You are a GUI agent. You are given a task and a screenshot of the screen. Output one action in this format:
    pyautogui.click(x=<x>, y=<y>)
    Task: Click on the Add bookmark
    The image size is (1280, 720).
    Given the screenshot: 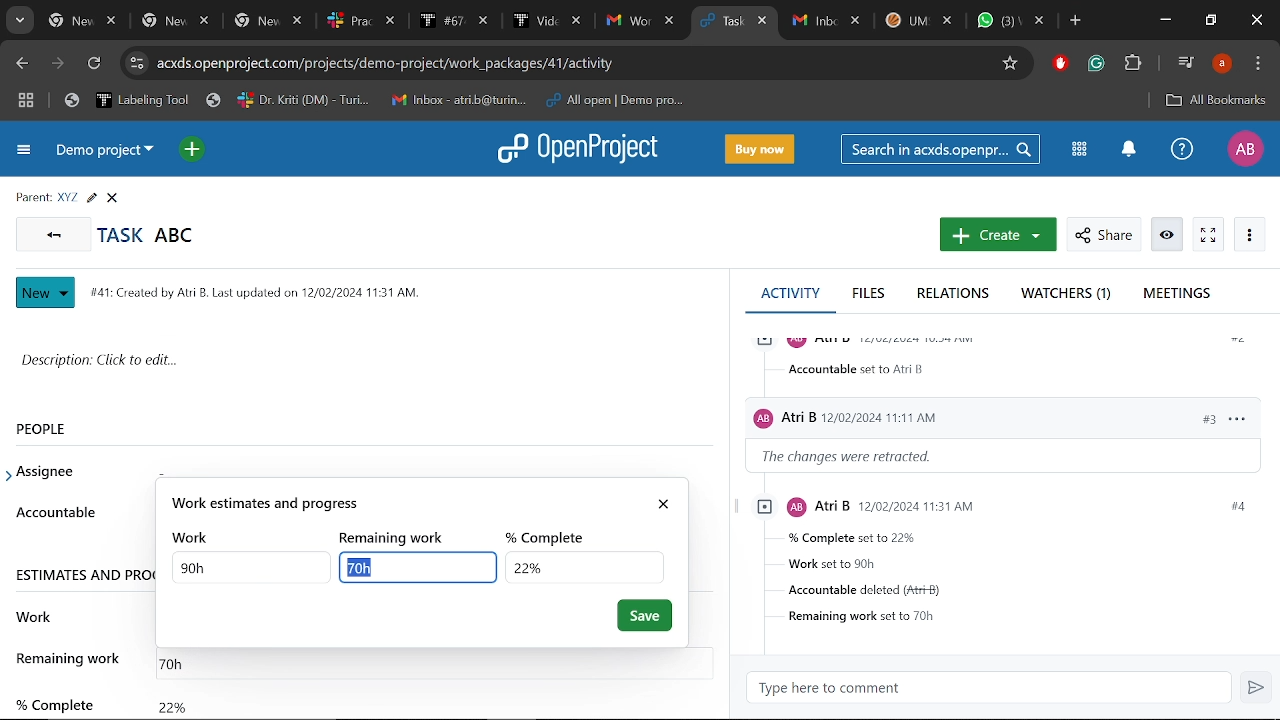 What is the action you would take?
    pyautogui.click(x=1215, y=100)
    